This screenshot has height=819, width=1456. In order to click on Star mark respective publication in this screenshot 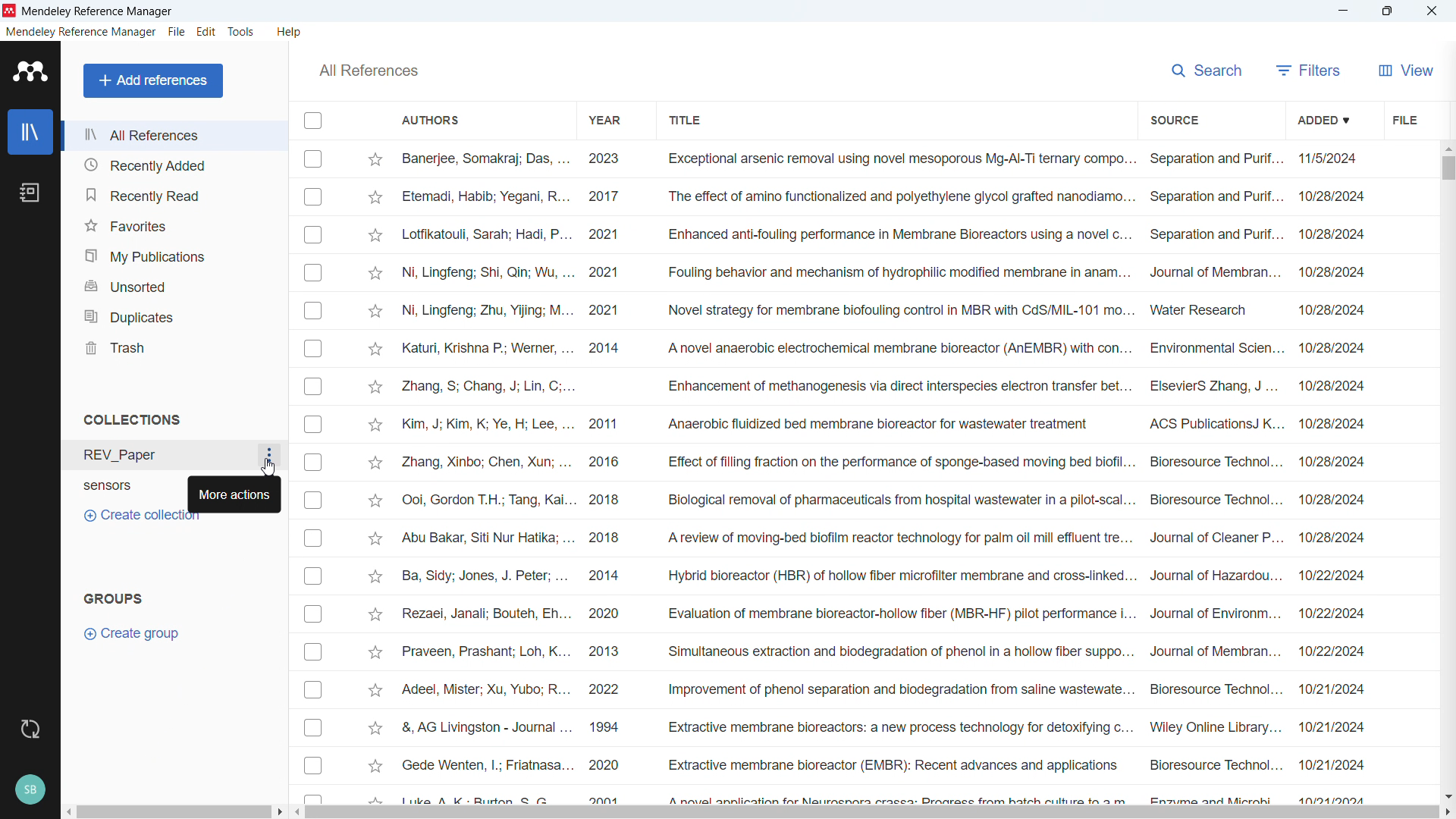, I will do `click(375, 198)`.